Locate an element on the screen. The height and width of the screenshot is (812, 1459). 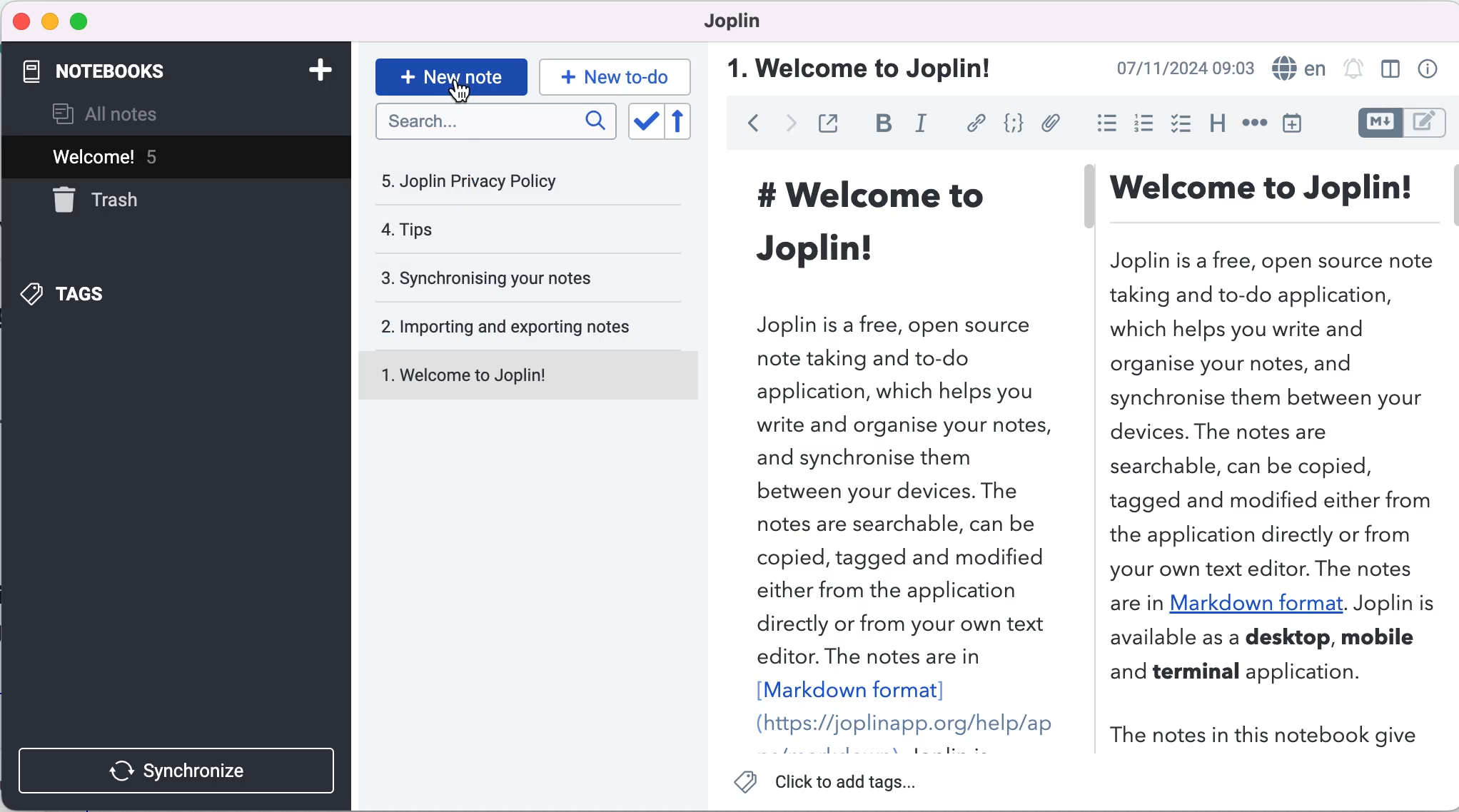
numbered list is located at coordinates (1144, 124).